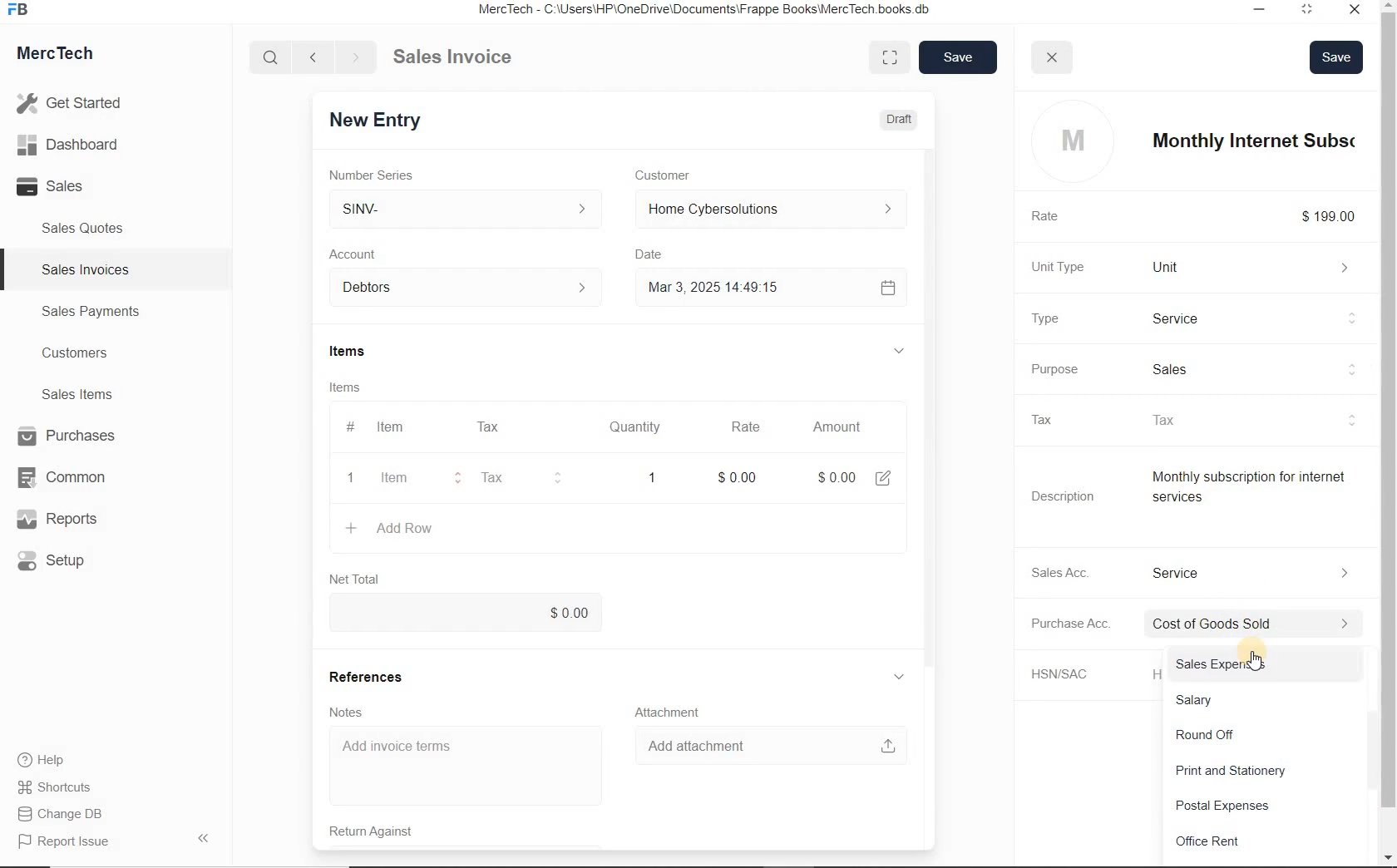  I want to click on Return Against, so click(391, 830).